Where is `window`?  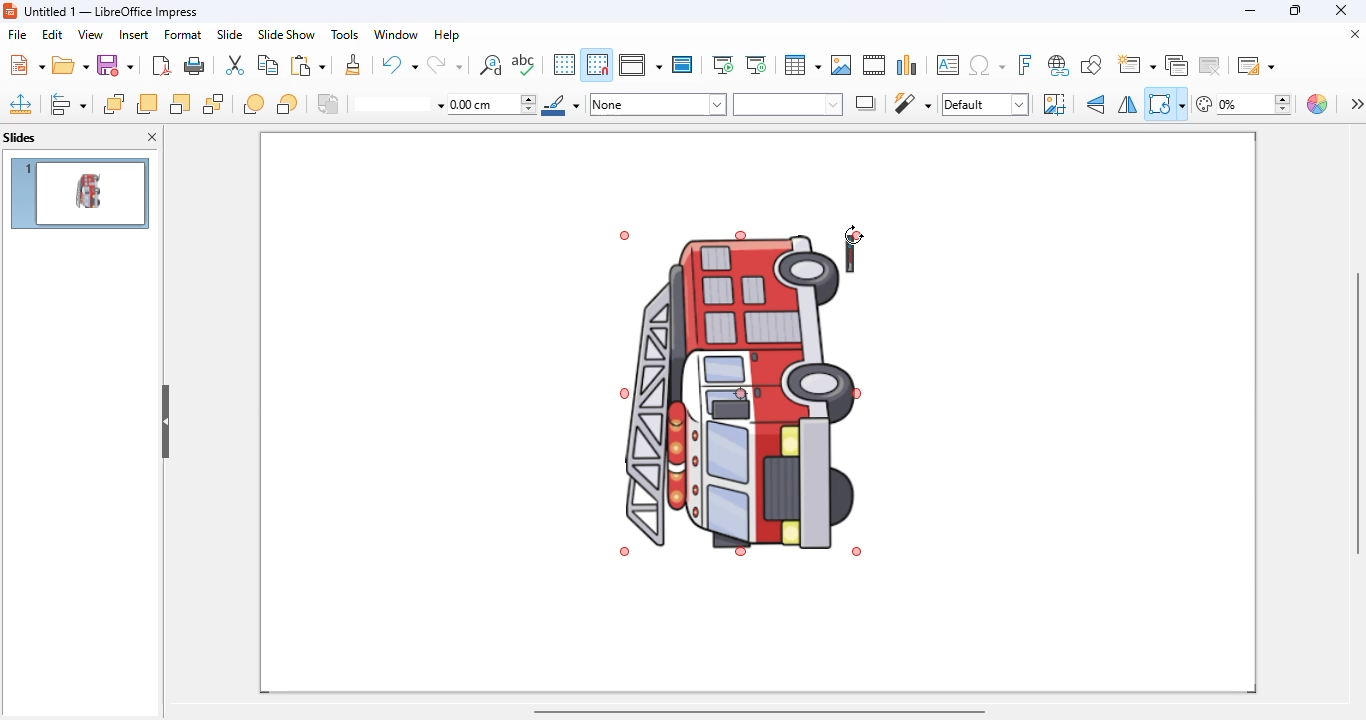
window is located at coordinates (397, 34).